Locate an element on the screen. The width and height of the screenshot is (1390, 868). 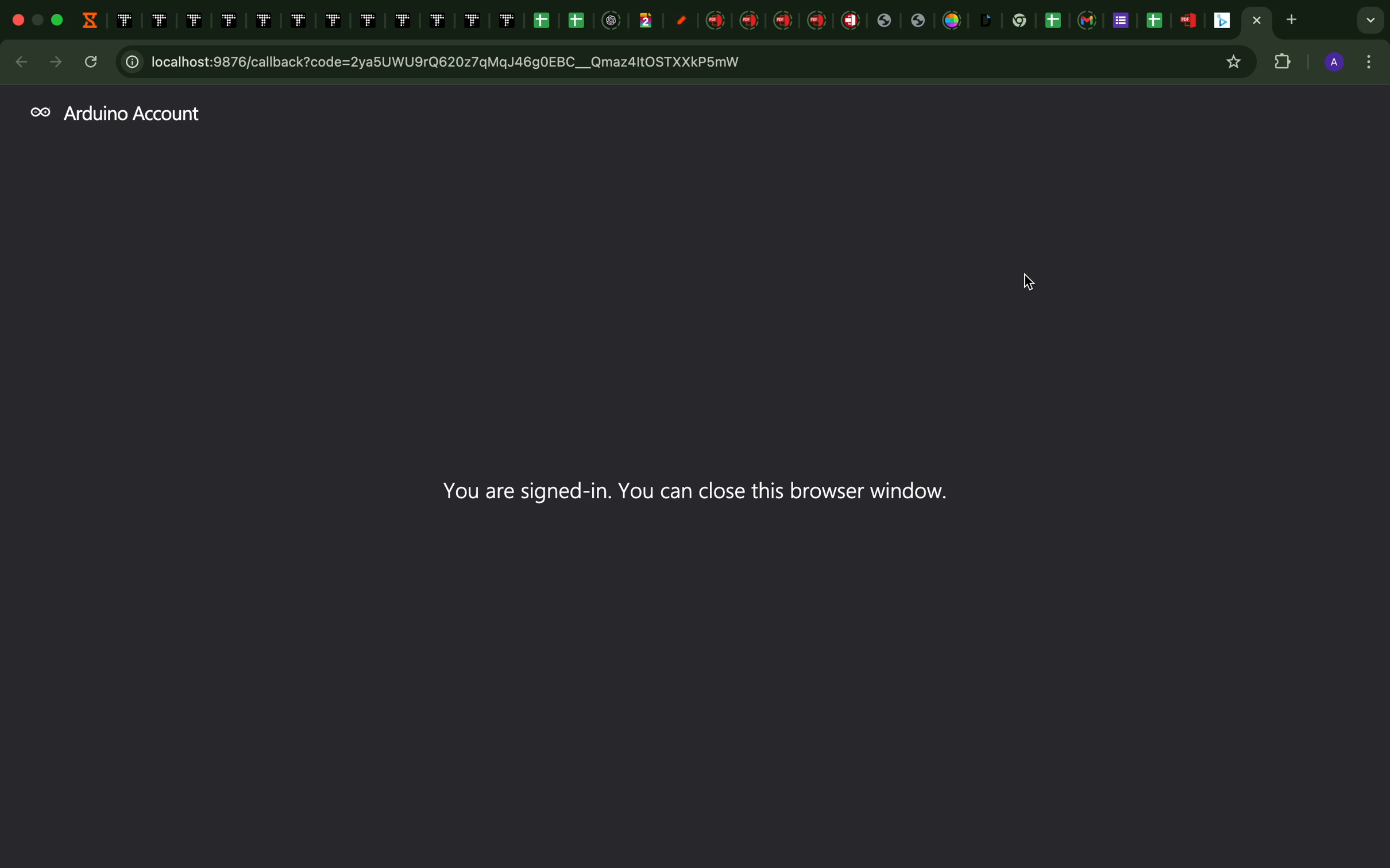
file information is located at coordinates (1148, 859).